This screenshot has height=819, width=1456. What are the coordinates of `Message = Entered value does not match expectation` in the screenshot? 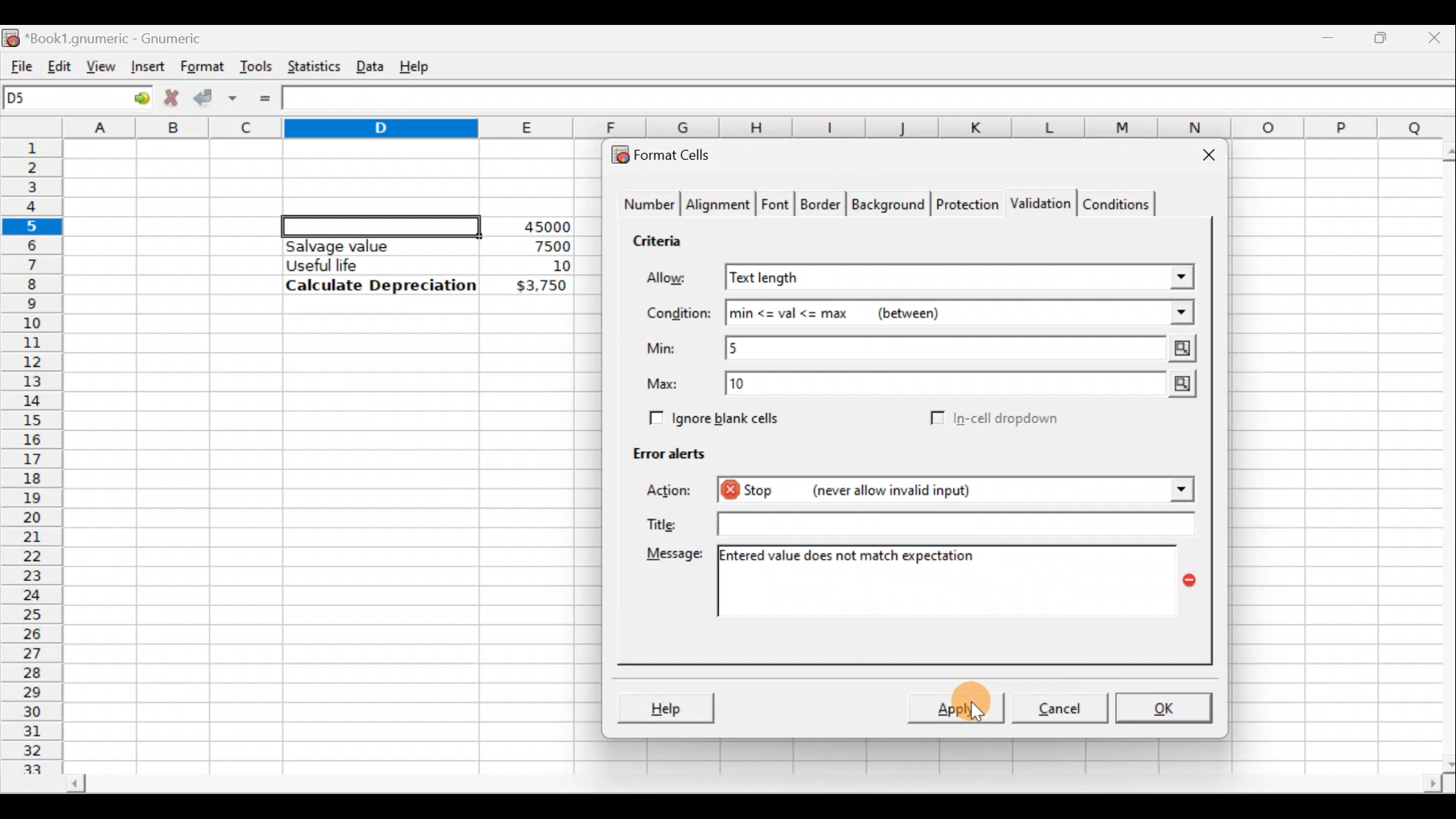 It's located at (954, 581).